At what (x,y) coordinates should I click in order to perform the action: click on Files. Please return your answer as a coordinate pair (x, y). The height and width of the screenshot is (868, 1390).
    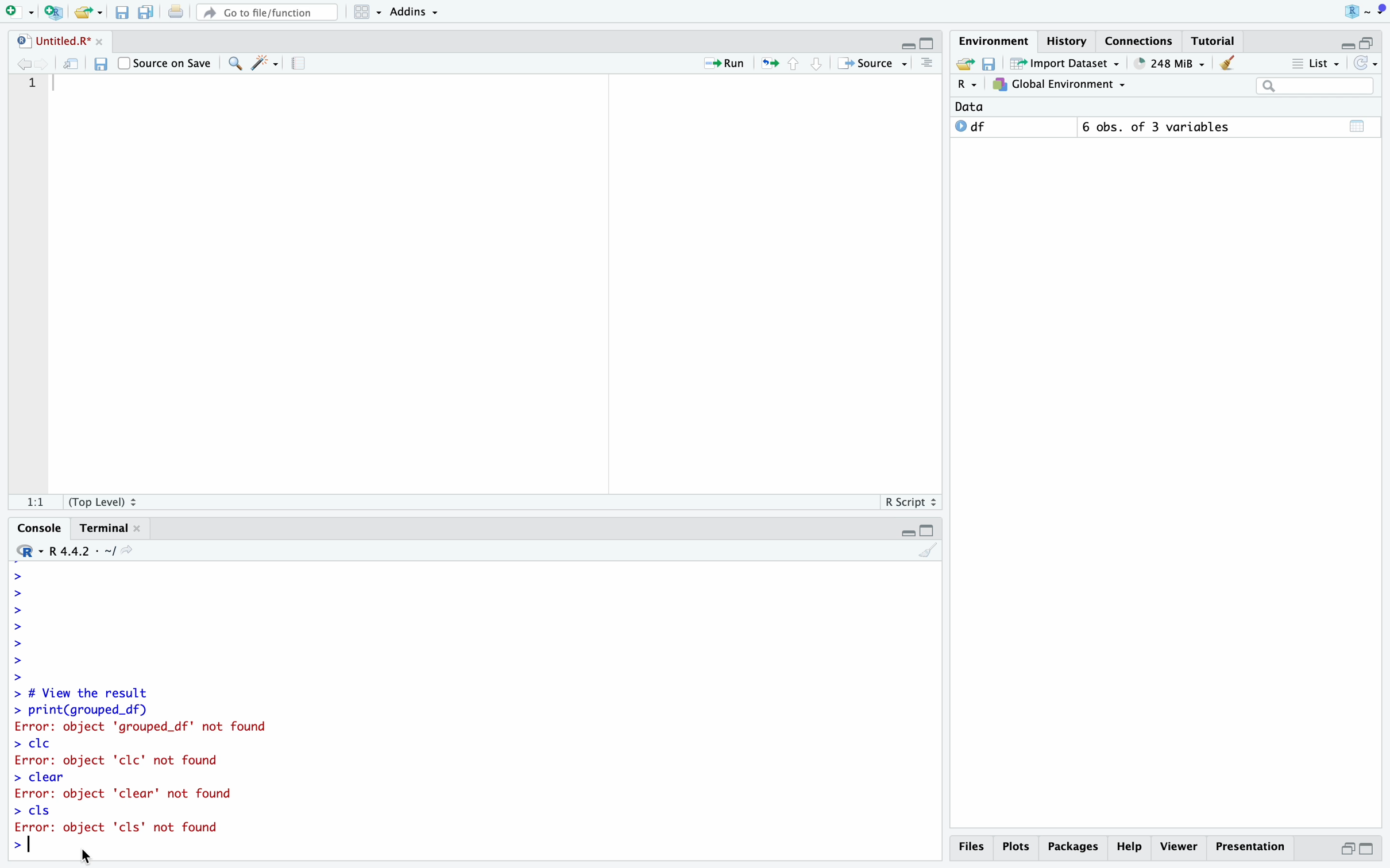
    Looking at the image, I should click on (974, 847).